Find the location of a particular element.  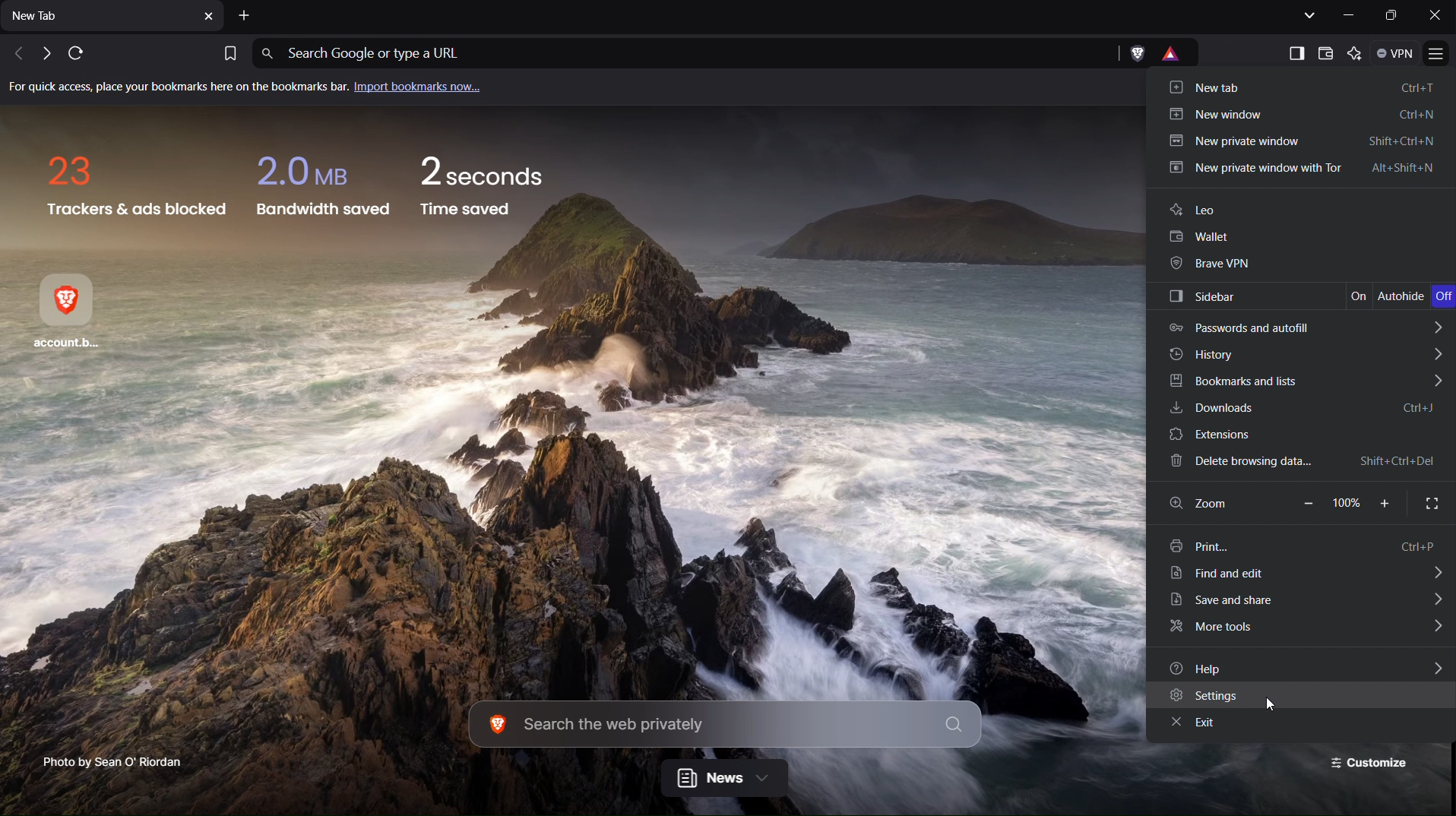

Address bar is located at coordinates (679, 54).